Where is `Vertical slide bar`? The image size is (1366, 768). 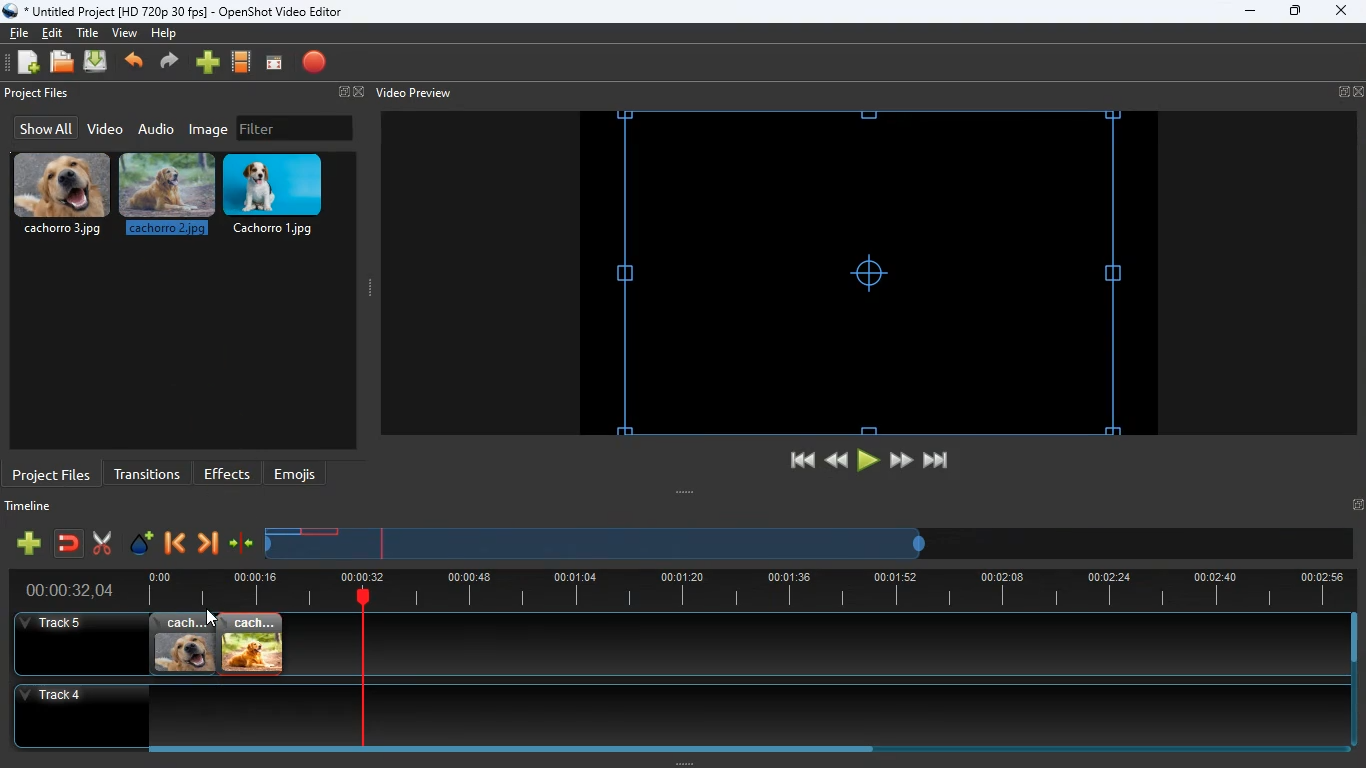
Vertical slide bar is located at coordinates (1354, 680).